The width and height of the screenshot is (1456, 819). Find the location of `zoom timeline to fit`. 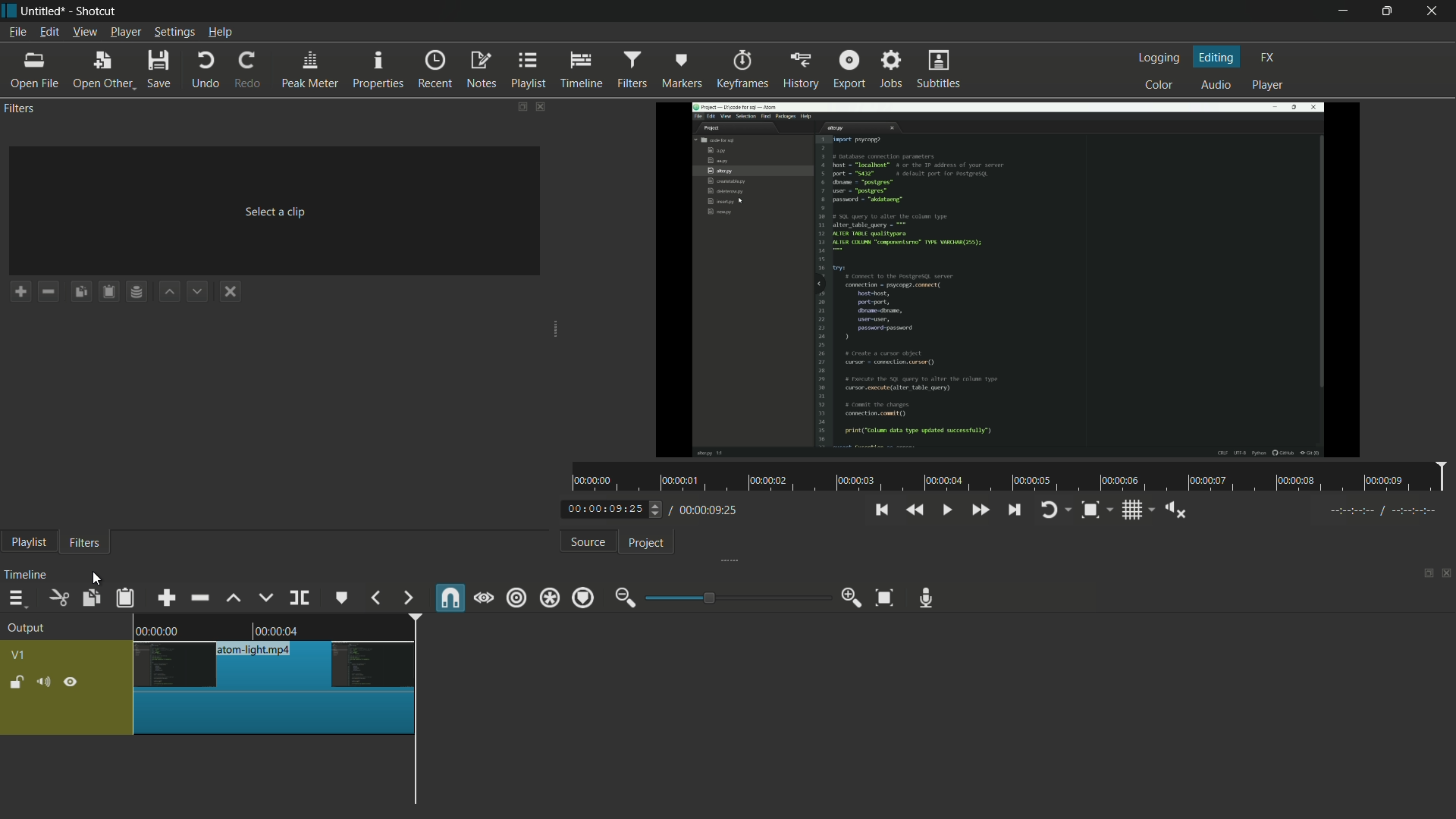

zoom timeline to fit is located at coordinates (885, 599).